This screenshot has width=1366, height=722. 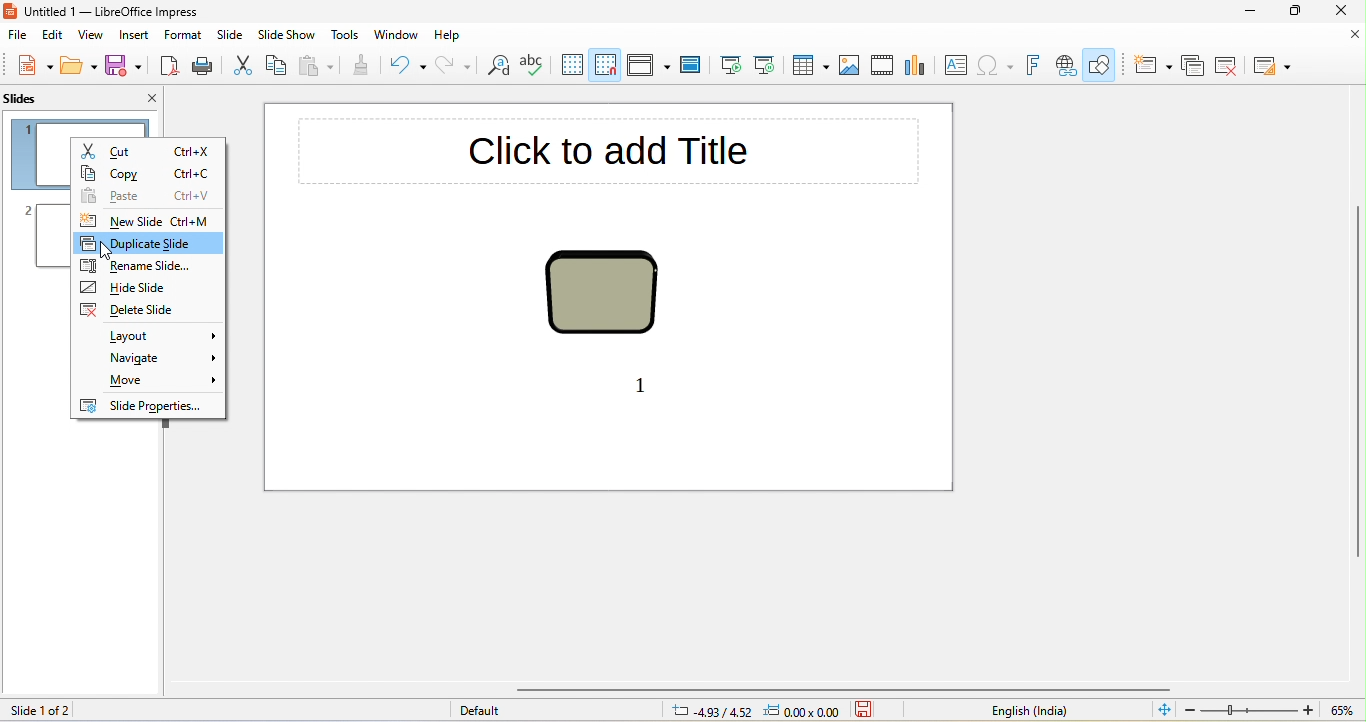 What do you see at coordinates (364, 68) in the screenshot?
I see `clone formatting` at bounding box center [364, 68].